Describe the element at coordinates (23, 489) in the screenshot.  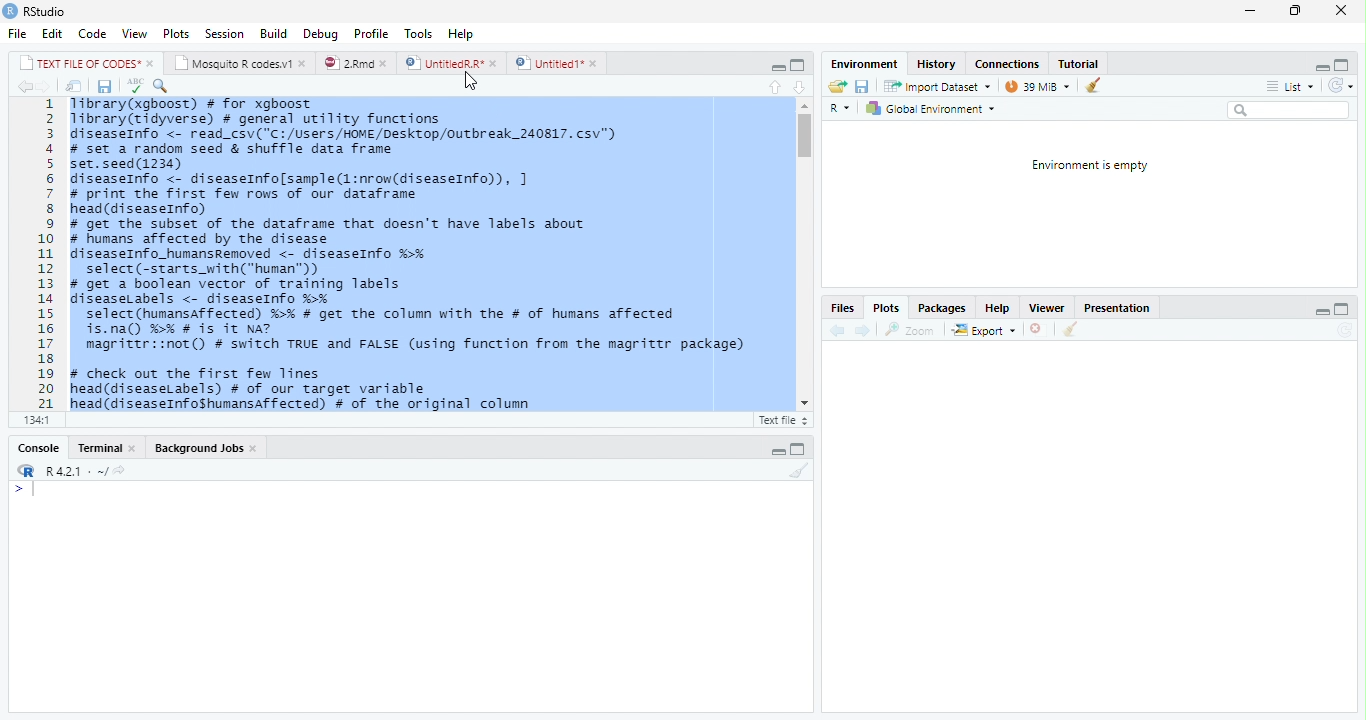
I see `Typing Indicator` at that location.